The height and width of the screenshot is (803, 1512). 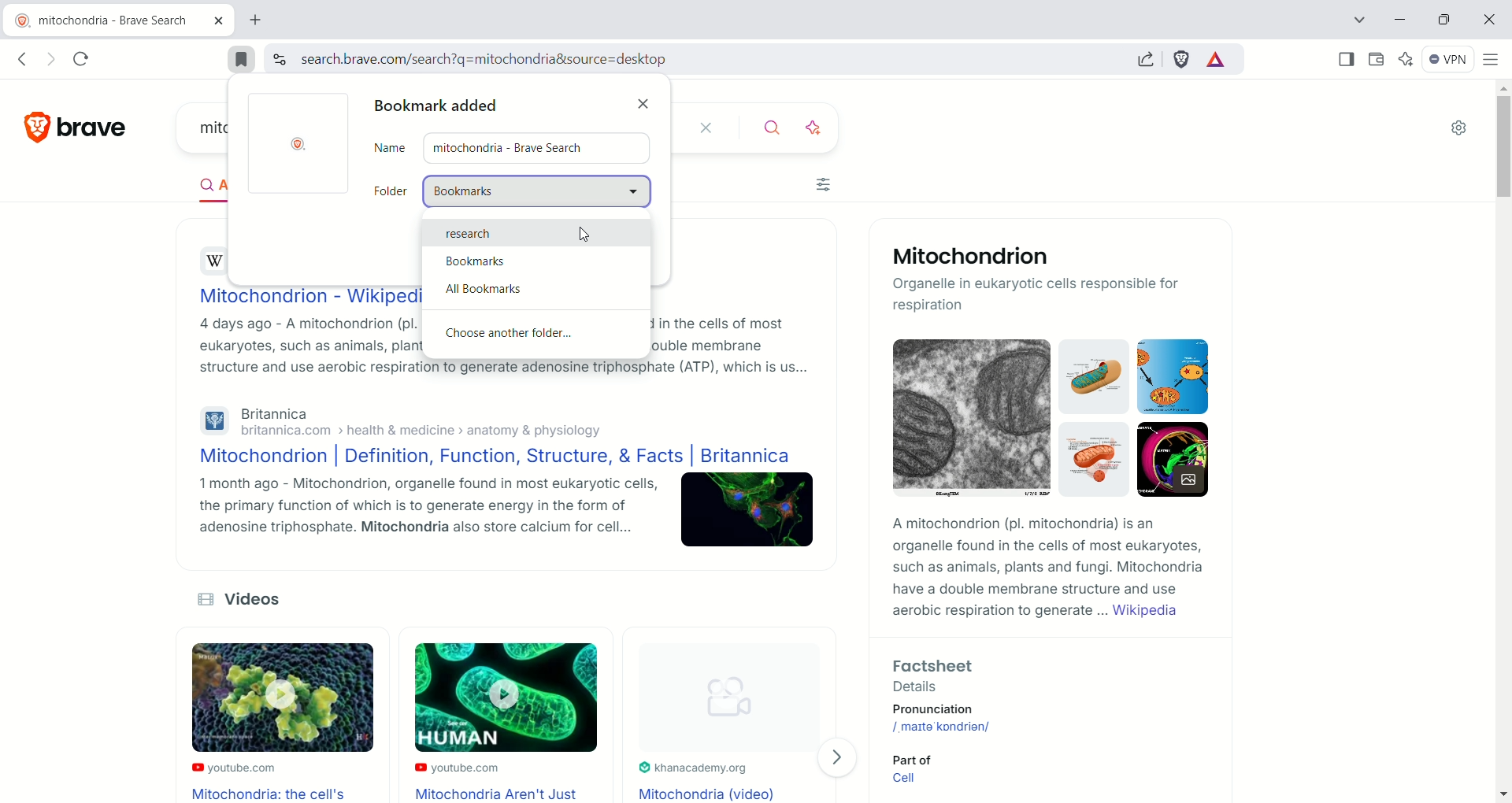 What do you see at coordinates (442, 107) in the screenshot?
I see `bookmark added` at bounding box center [442, 107].